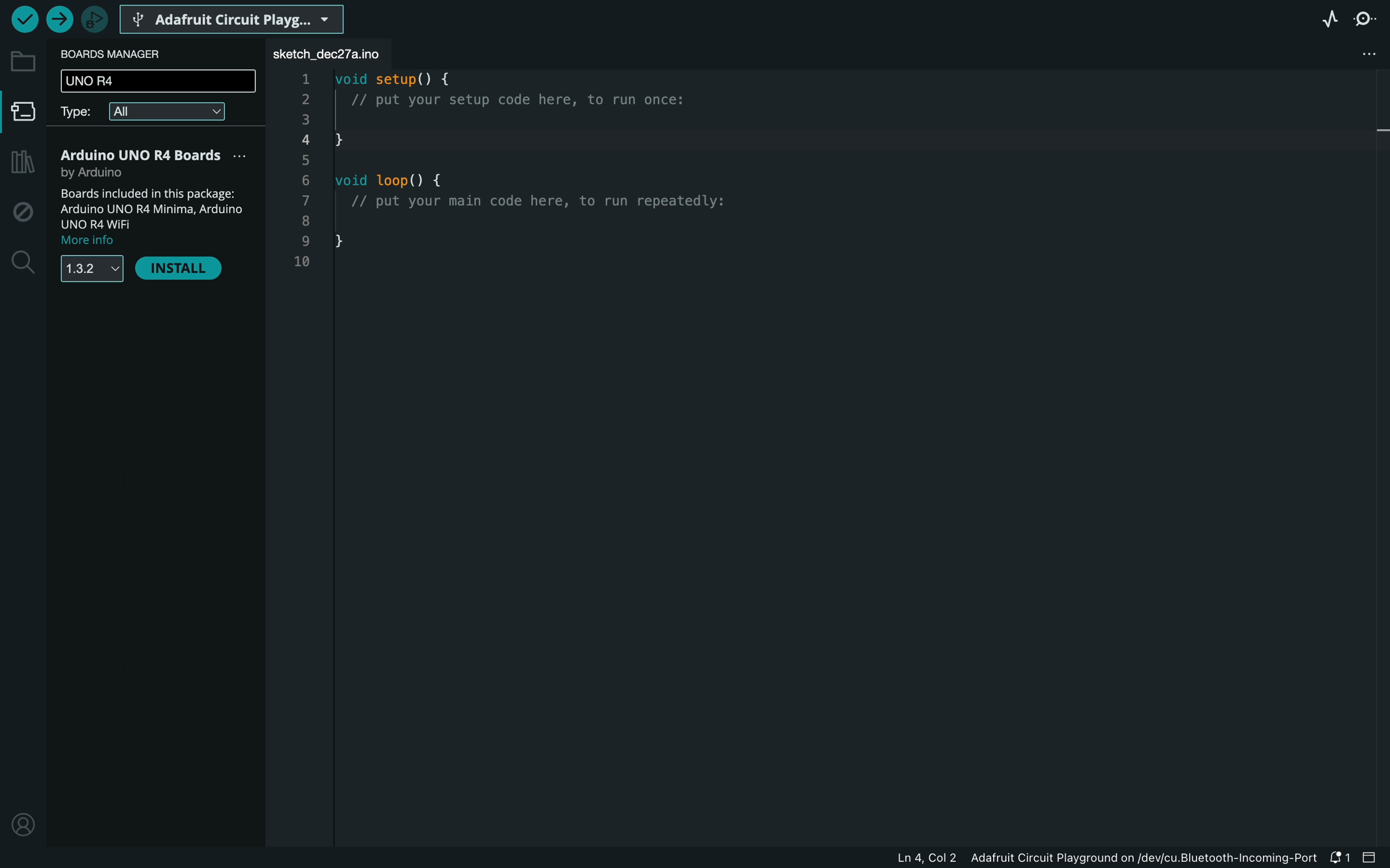 This screenshot has height=868, width=1390. I want to click on folder, so click(22, 61).